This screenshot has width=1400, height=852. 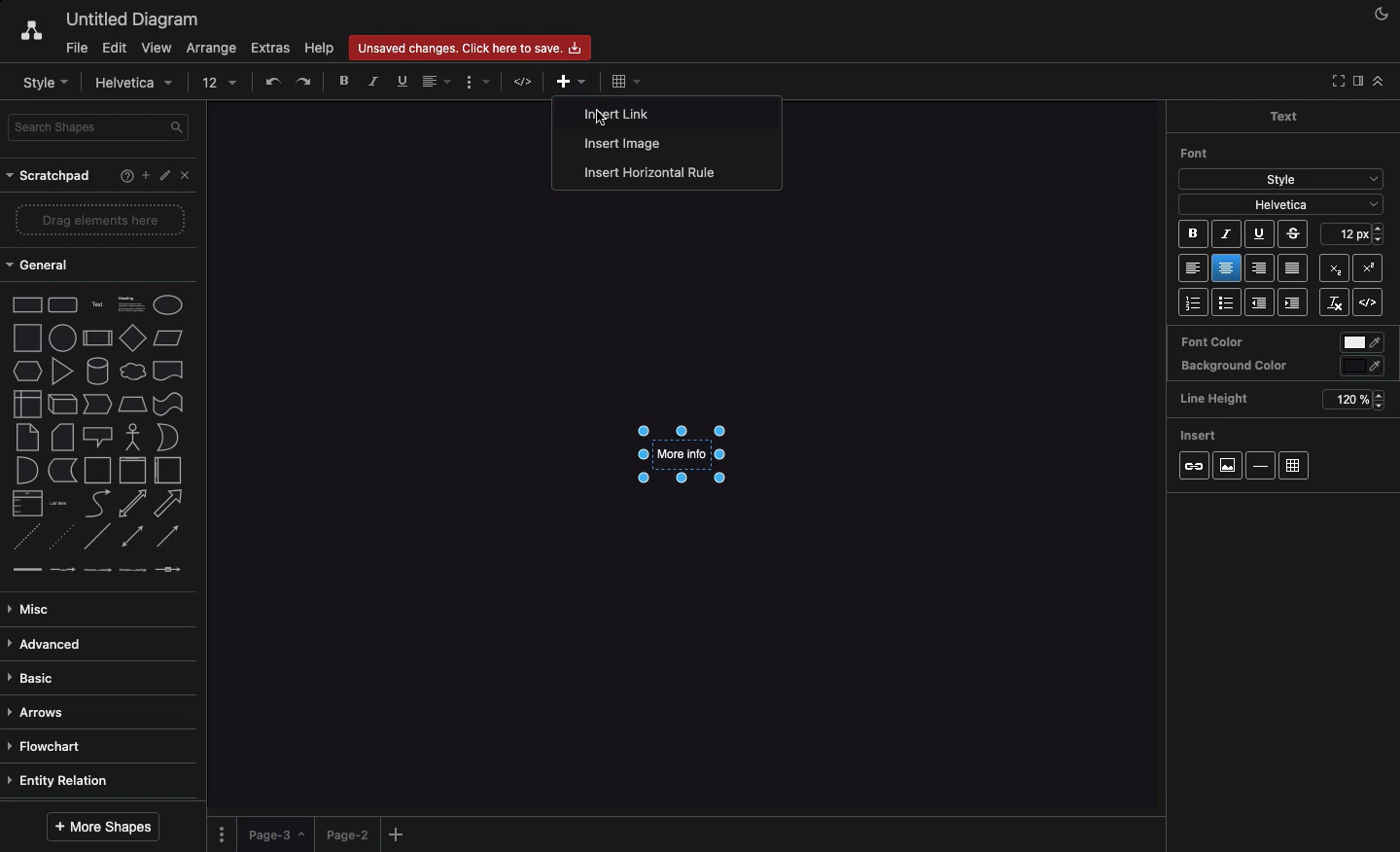 What do you see at coordinates (1373, 265) in the screenshot?
I see `Subscript` at bounding box center [1373, 265].